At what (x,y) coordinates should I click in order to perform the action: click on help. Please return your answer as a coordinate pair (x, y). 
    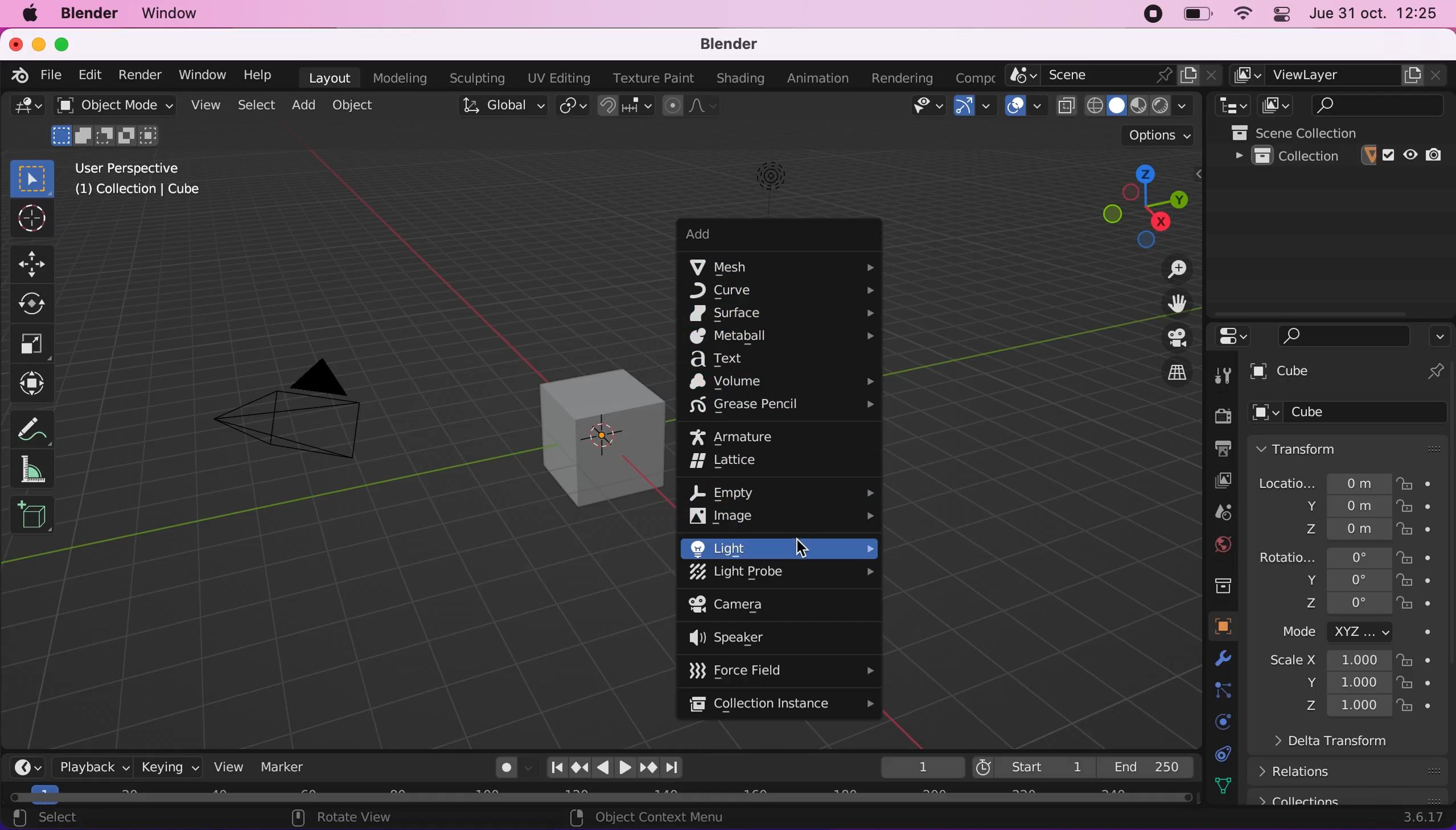
    Looking at the image, I should click on (258, 75).